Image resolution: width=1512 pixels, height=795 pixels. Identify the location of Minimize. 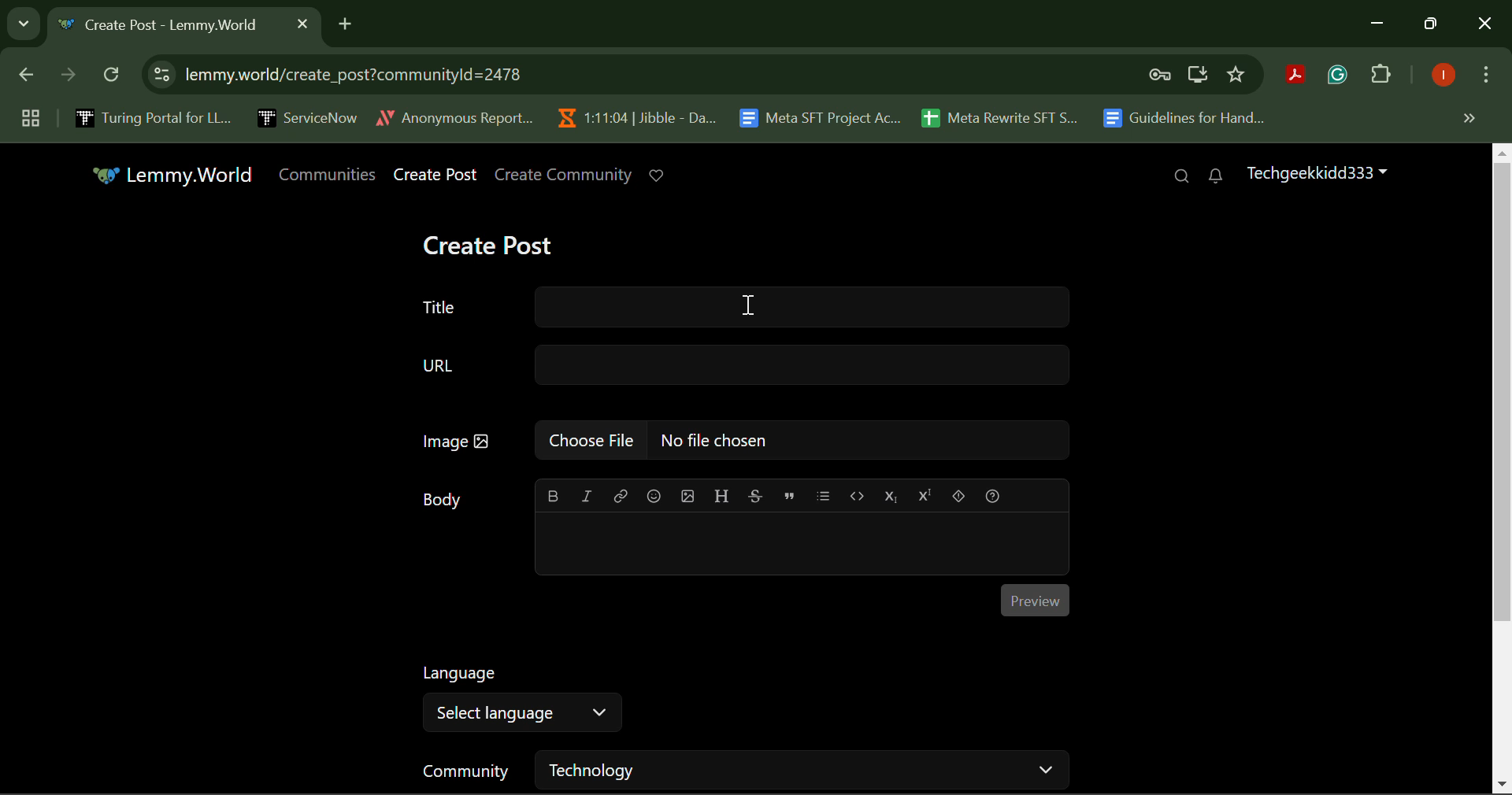
(1433, 24).